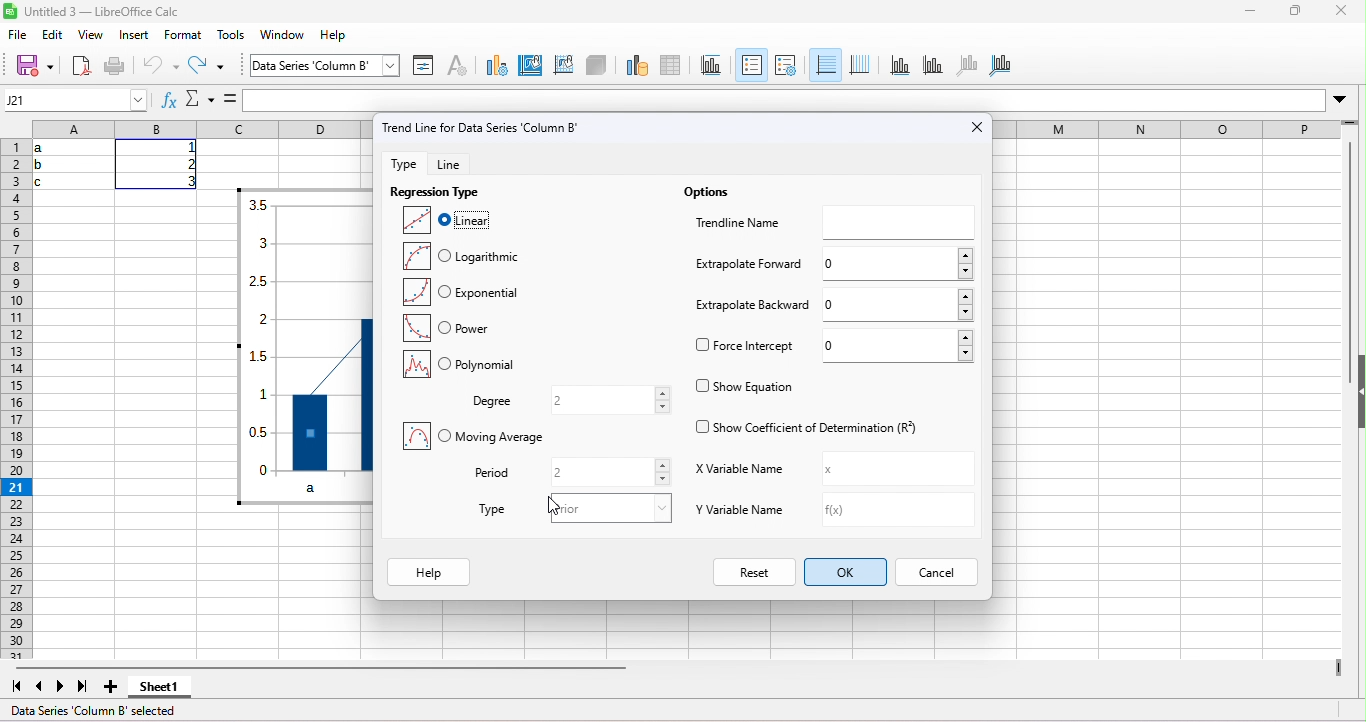 This screenshot has width=1366, height=722. Describe the element at coordinates (610, 399) in the screenshot. I see `2` at that location.